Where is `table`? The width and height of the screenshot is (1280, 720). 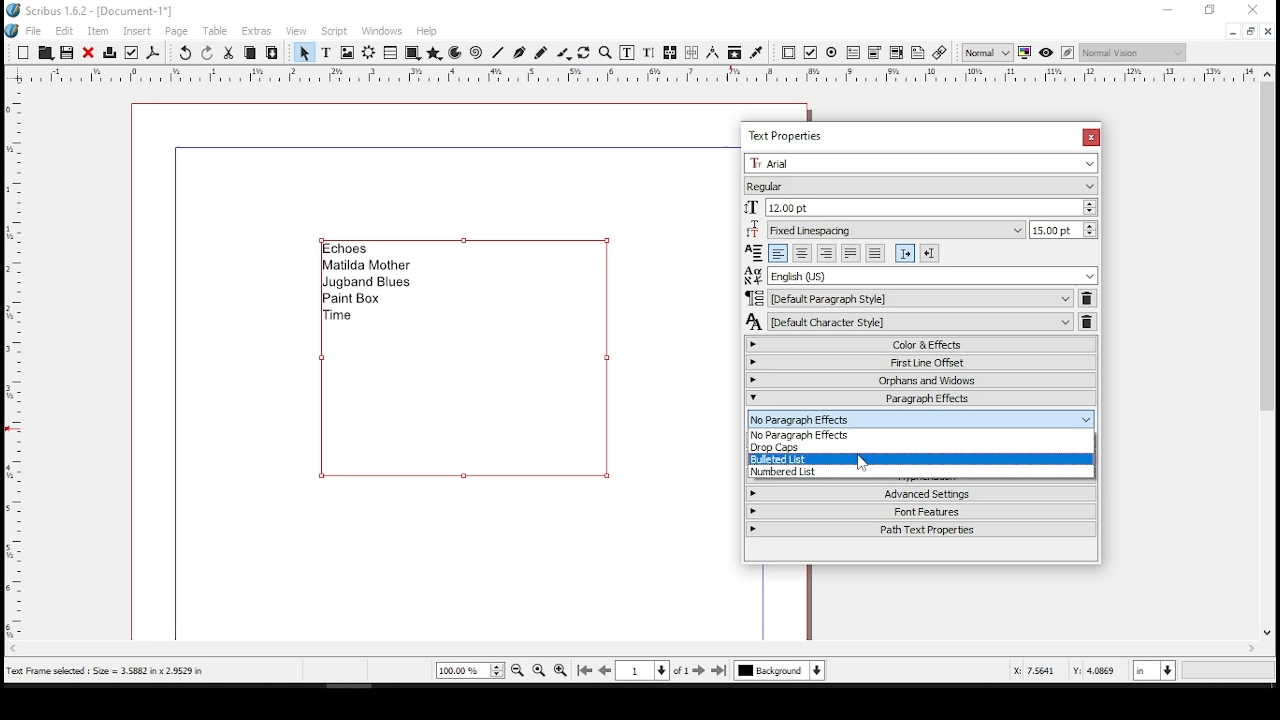 table is located at coordinates (218, 31).